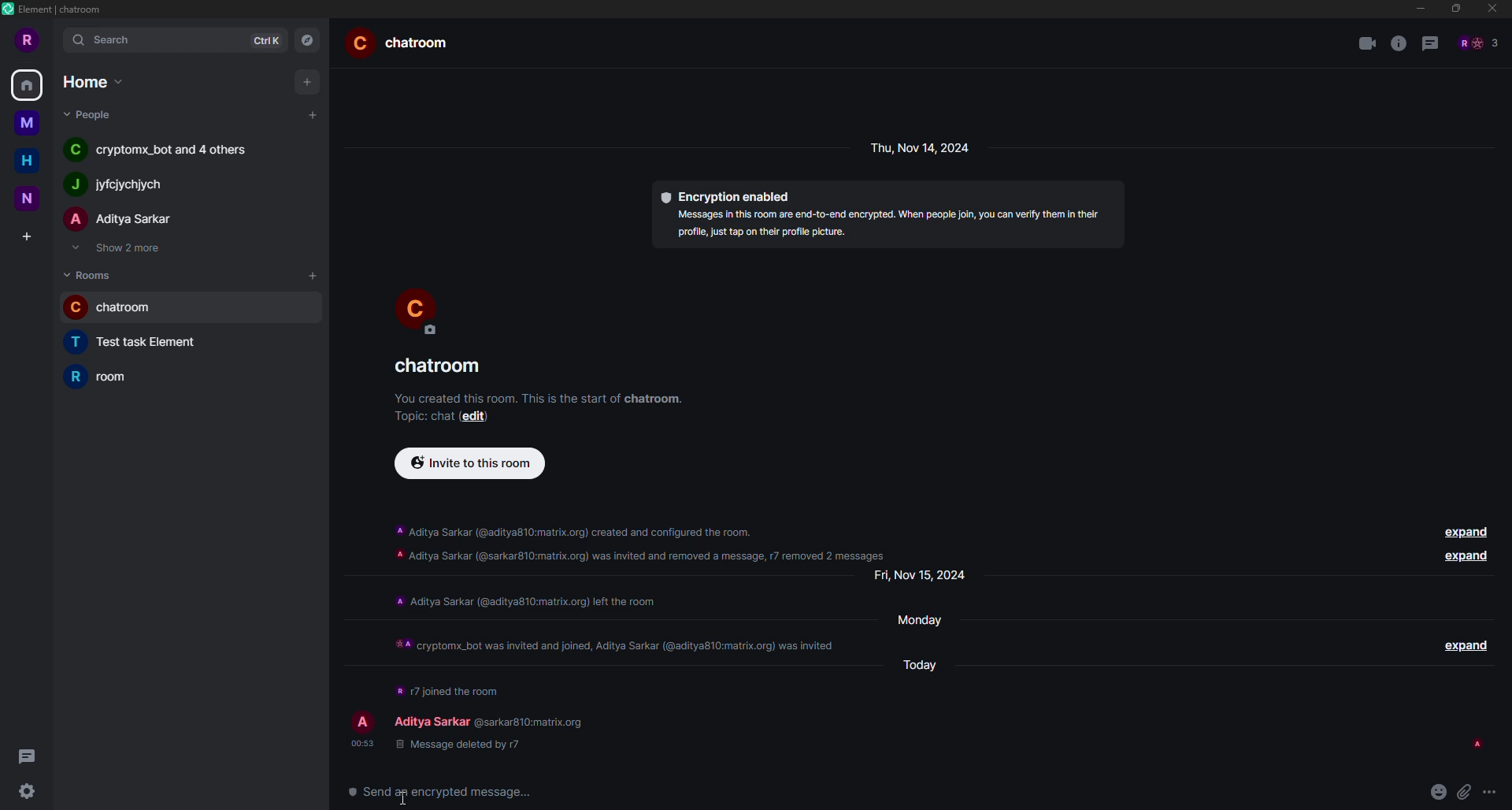  I want to click on show 2 more, so click(123, 249).